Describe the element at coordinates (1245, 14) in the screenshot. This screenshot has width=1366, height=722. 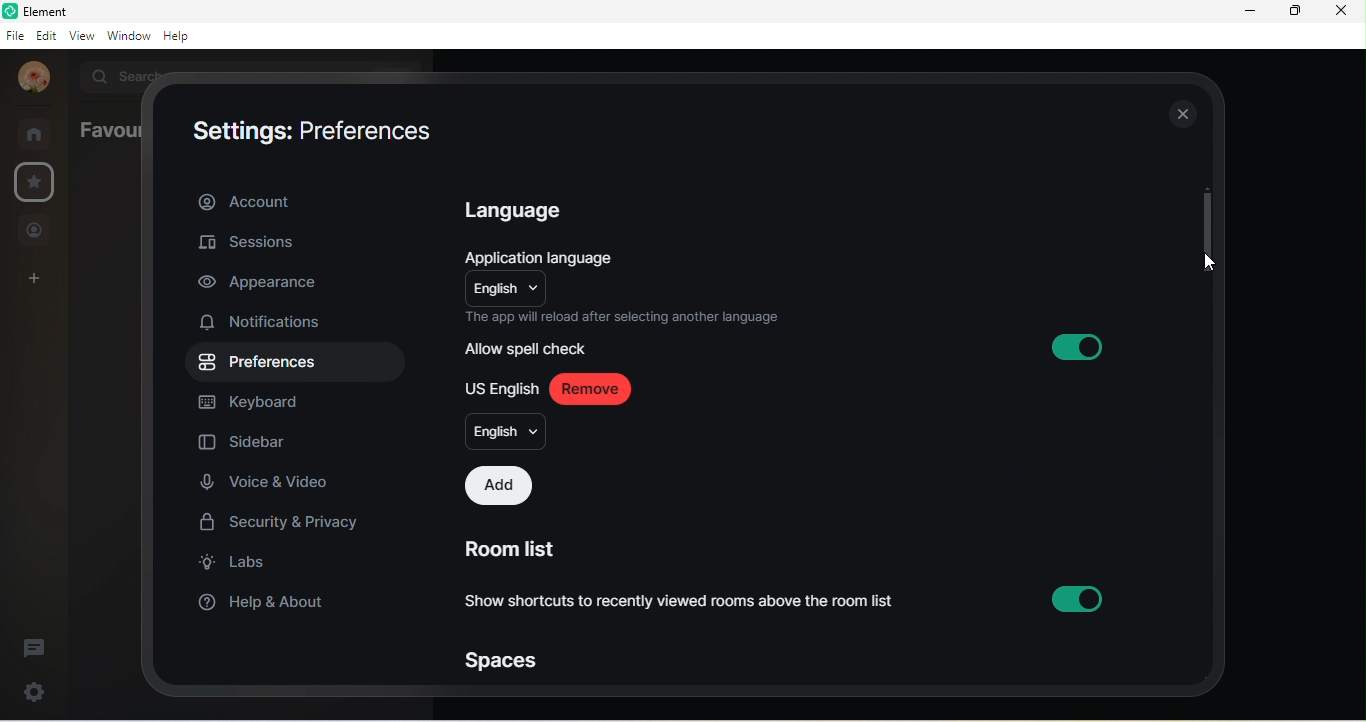
I see `minimize` at that location.